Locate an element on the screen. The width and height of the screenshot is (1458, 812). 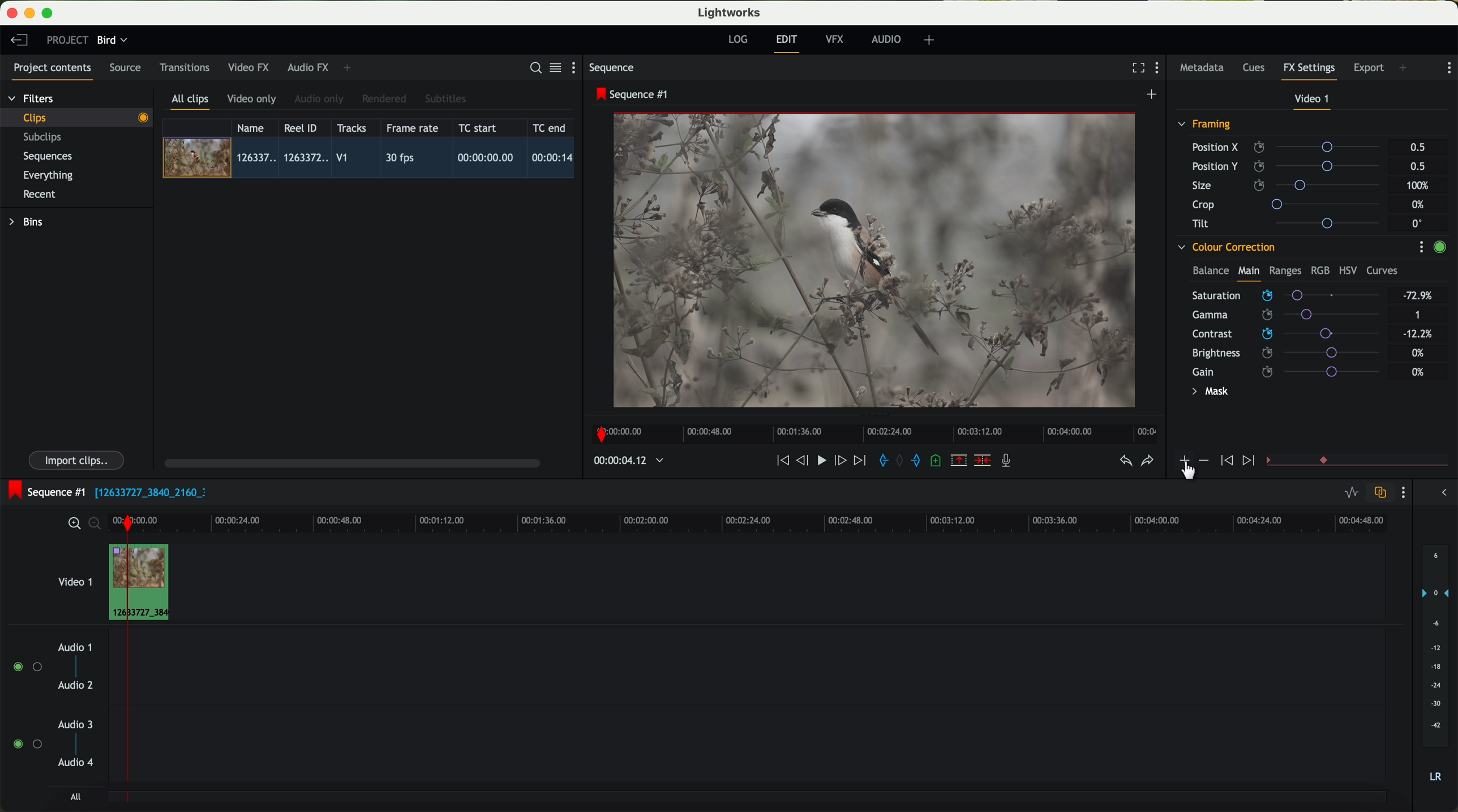
create a new sequence is located at coordinates (1153, 95).